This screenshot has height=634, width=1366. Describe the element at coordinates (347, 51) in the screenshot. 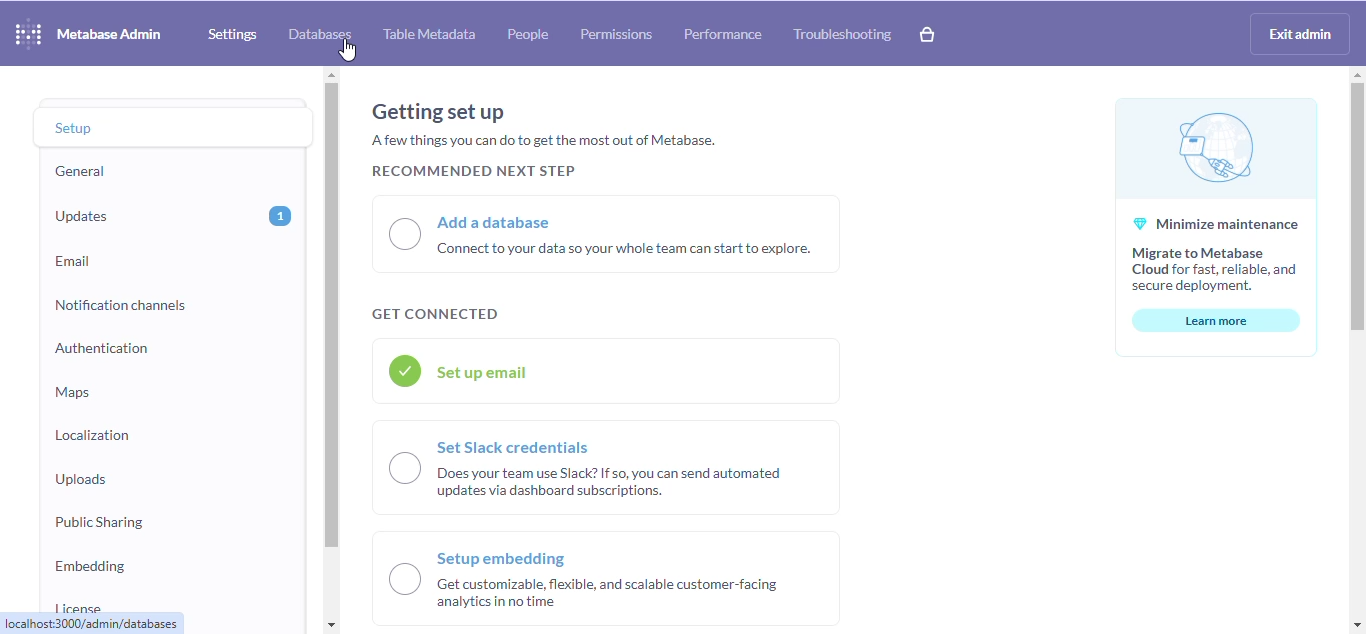

I see `cursor` at that location.